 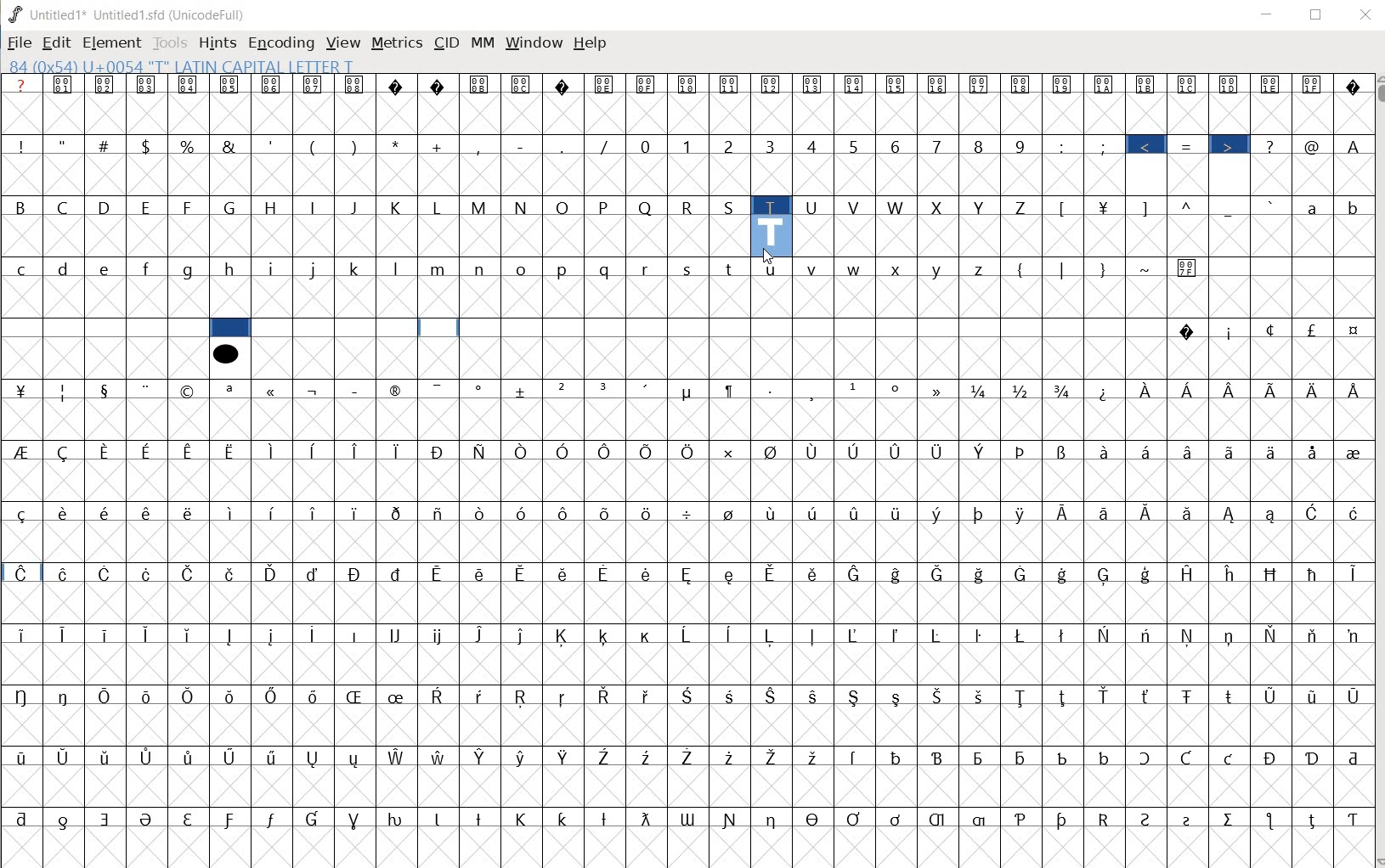 I want to click on Symbol, so click(x=190, y=451).